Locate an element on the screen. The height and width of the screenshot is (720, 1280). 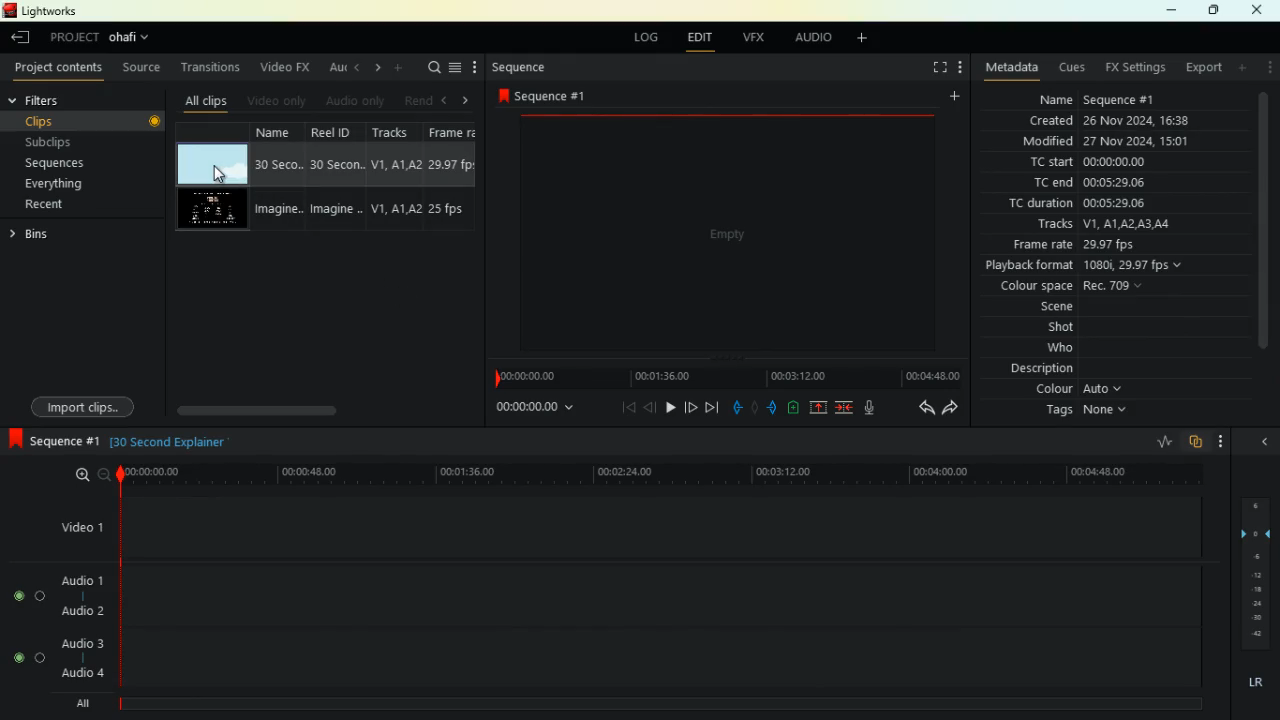
lightworks is located at coordinates (40, 12).